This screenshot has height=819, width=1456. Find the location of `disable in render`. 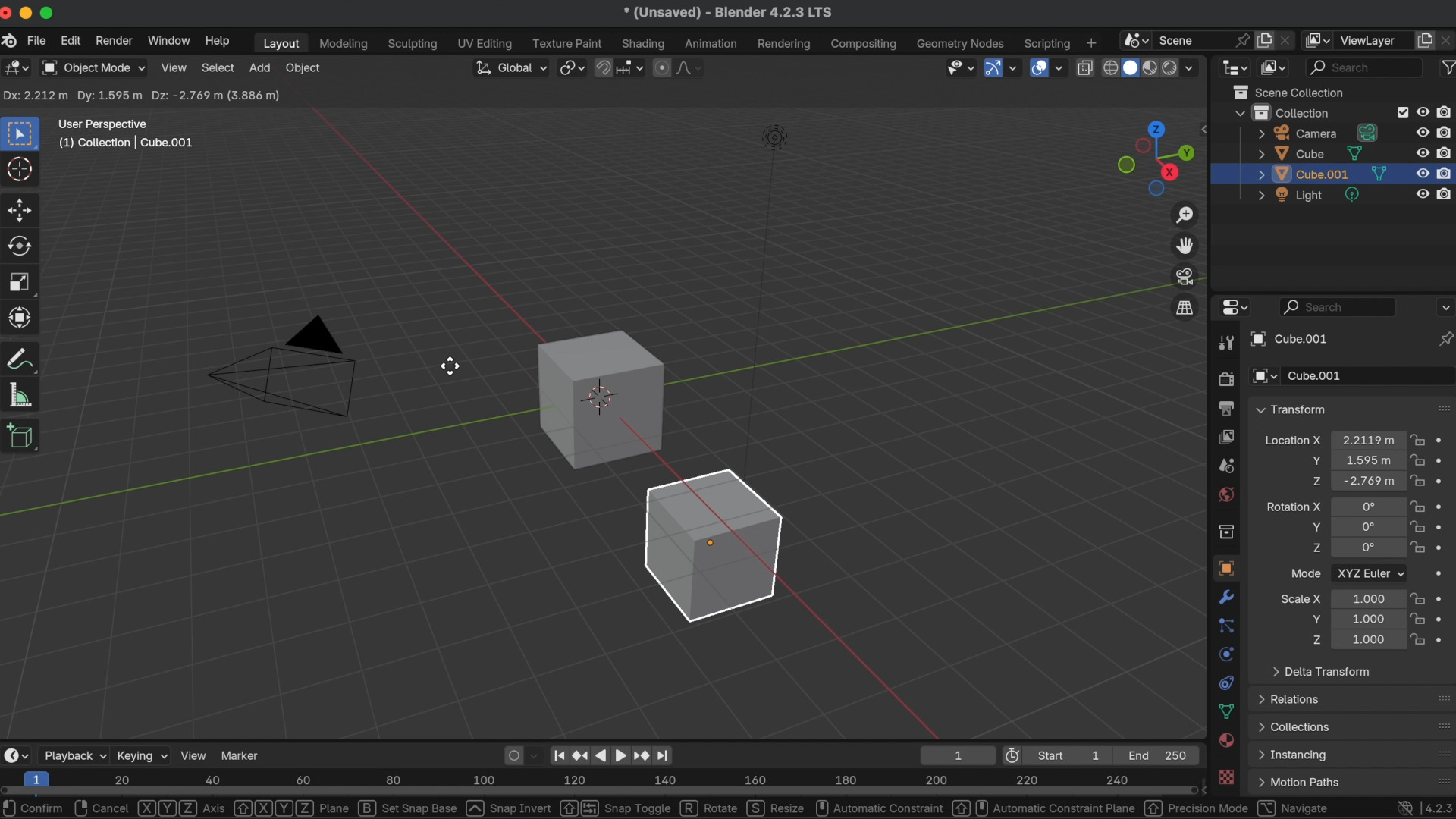

disable in render is located at coordinates (1445, 131).